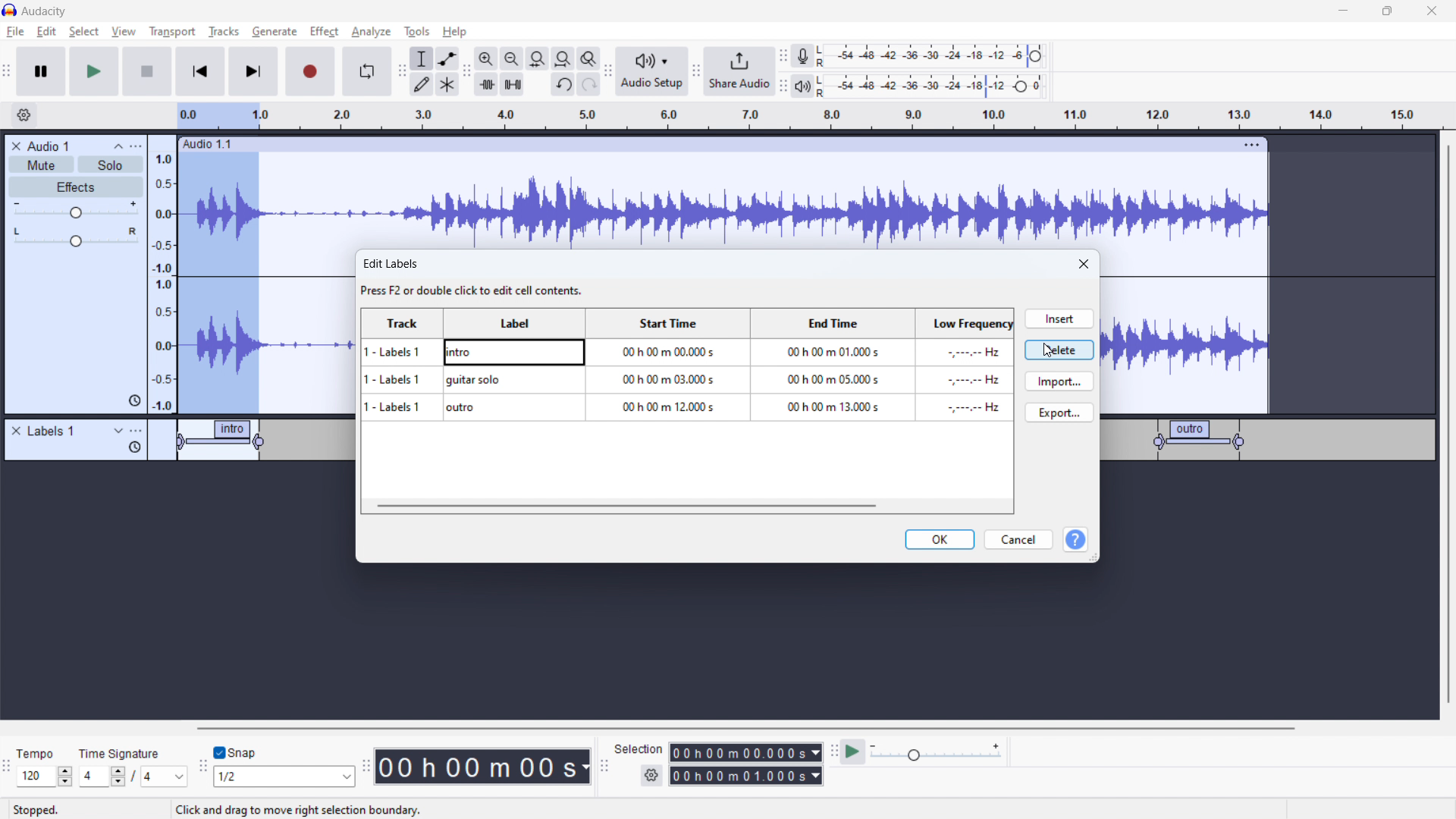  I want to click on snapping toolbar, so click(203, 768).